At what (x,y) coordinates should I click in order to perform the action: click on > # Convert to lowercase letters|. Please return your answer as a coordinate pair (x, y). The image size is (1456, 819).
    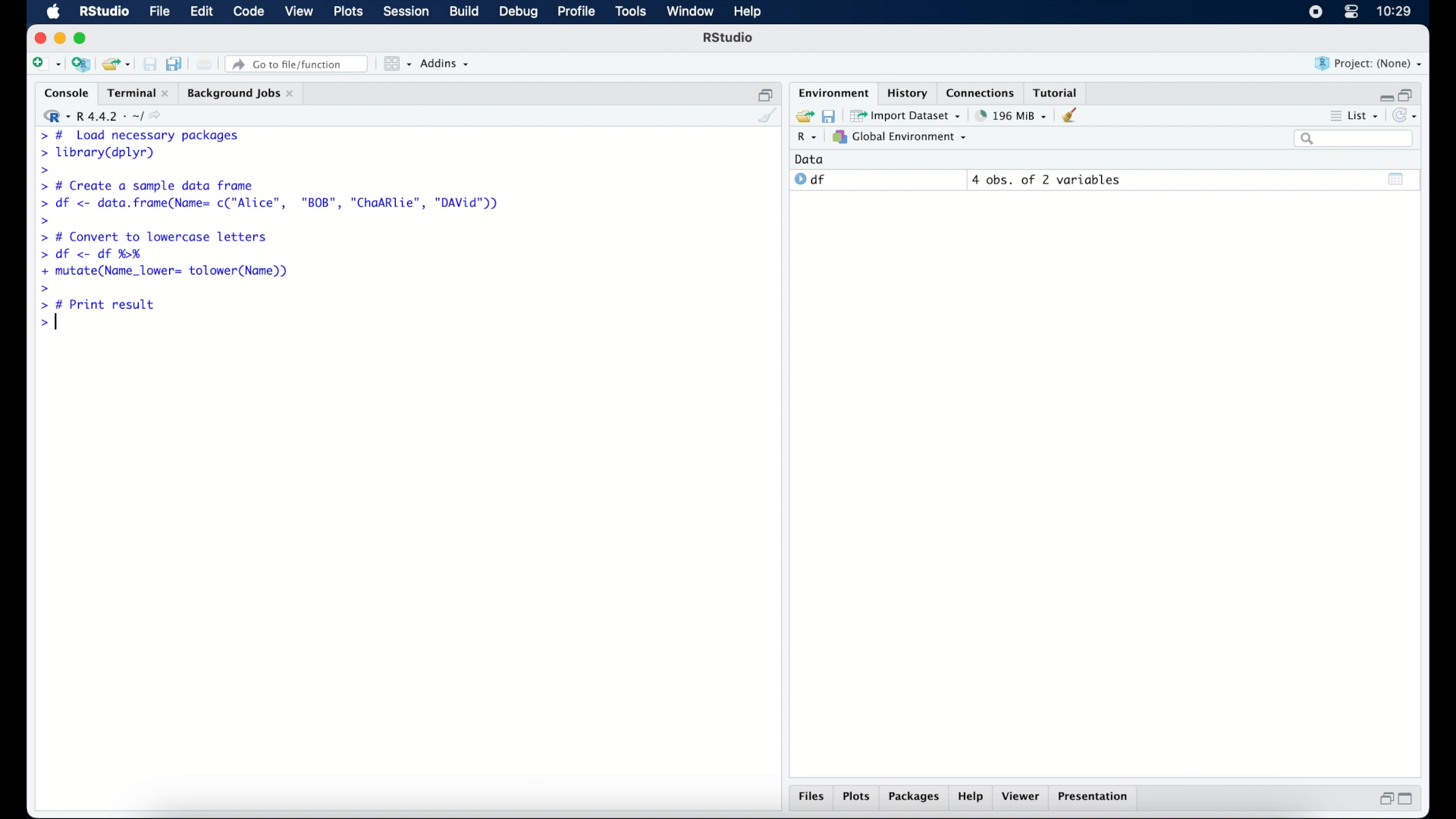
    Looking at the image, I should click on (155, 237).